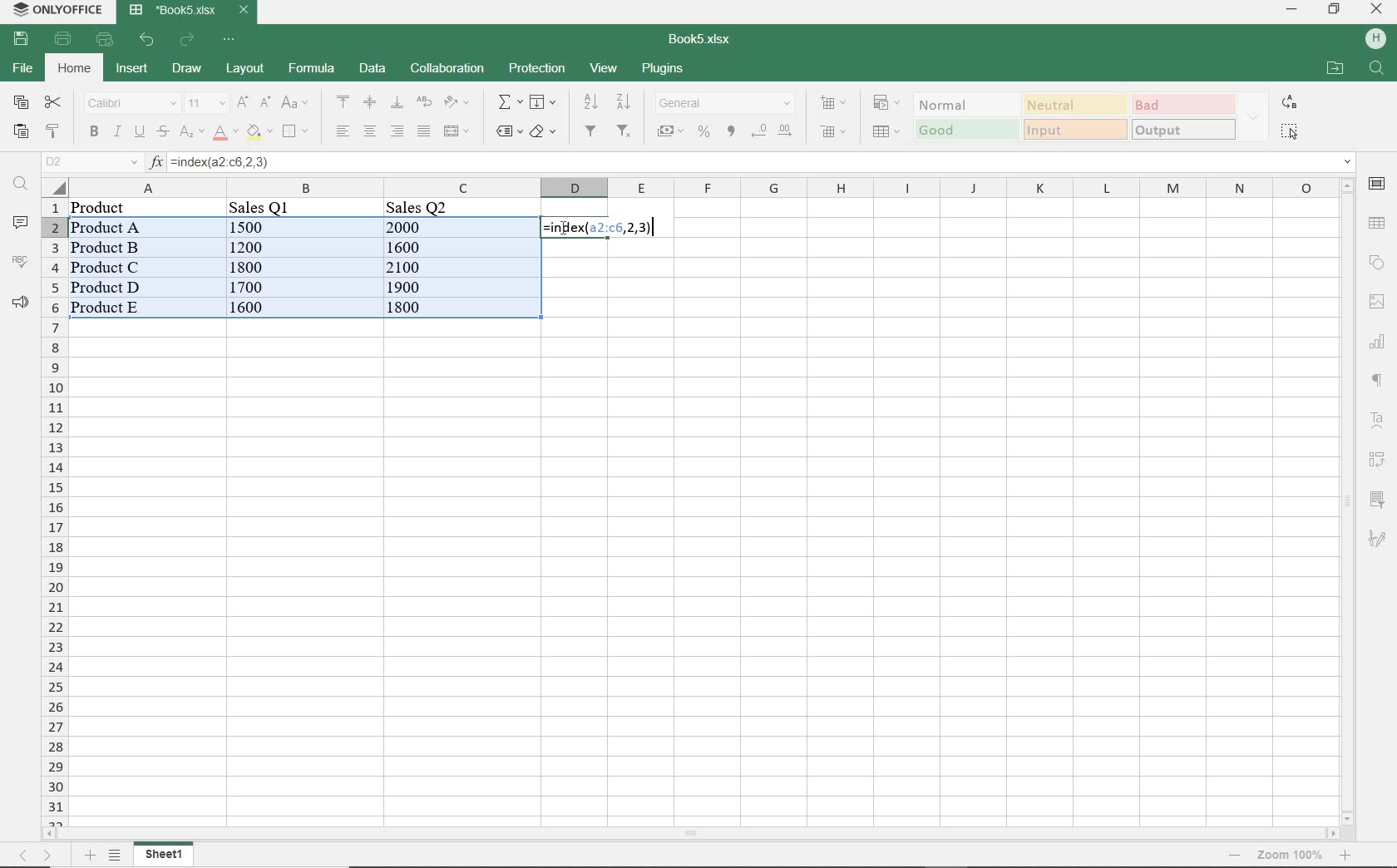 This screenshot has height=868, width=1397. I want to click on protection, so click(539, 68).